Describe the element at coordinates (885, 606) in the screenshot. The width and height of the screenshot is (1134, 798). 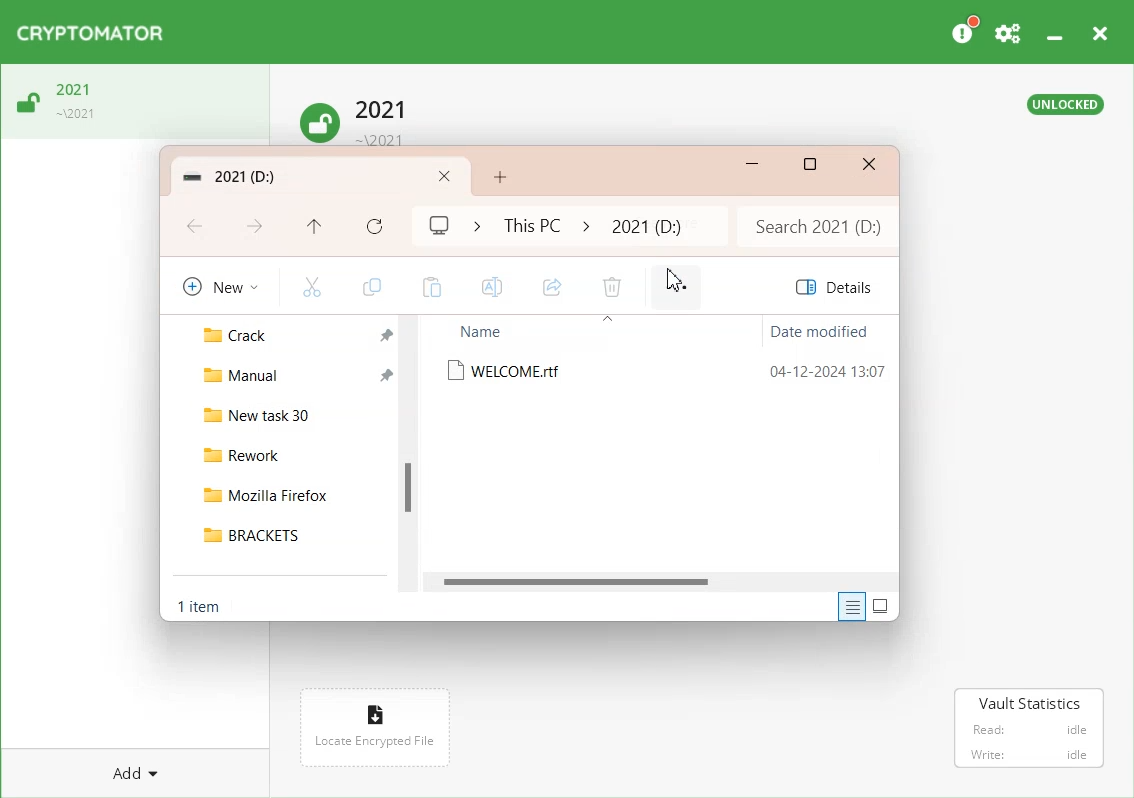
I see `Display item by using large thumbnail ` at that location.